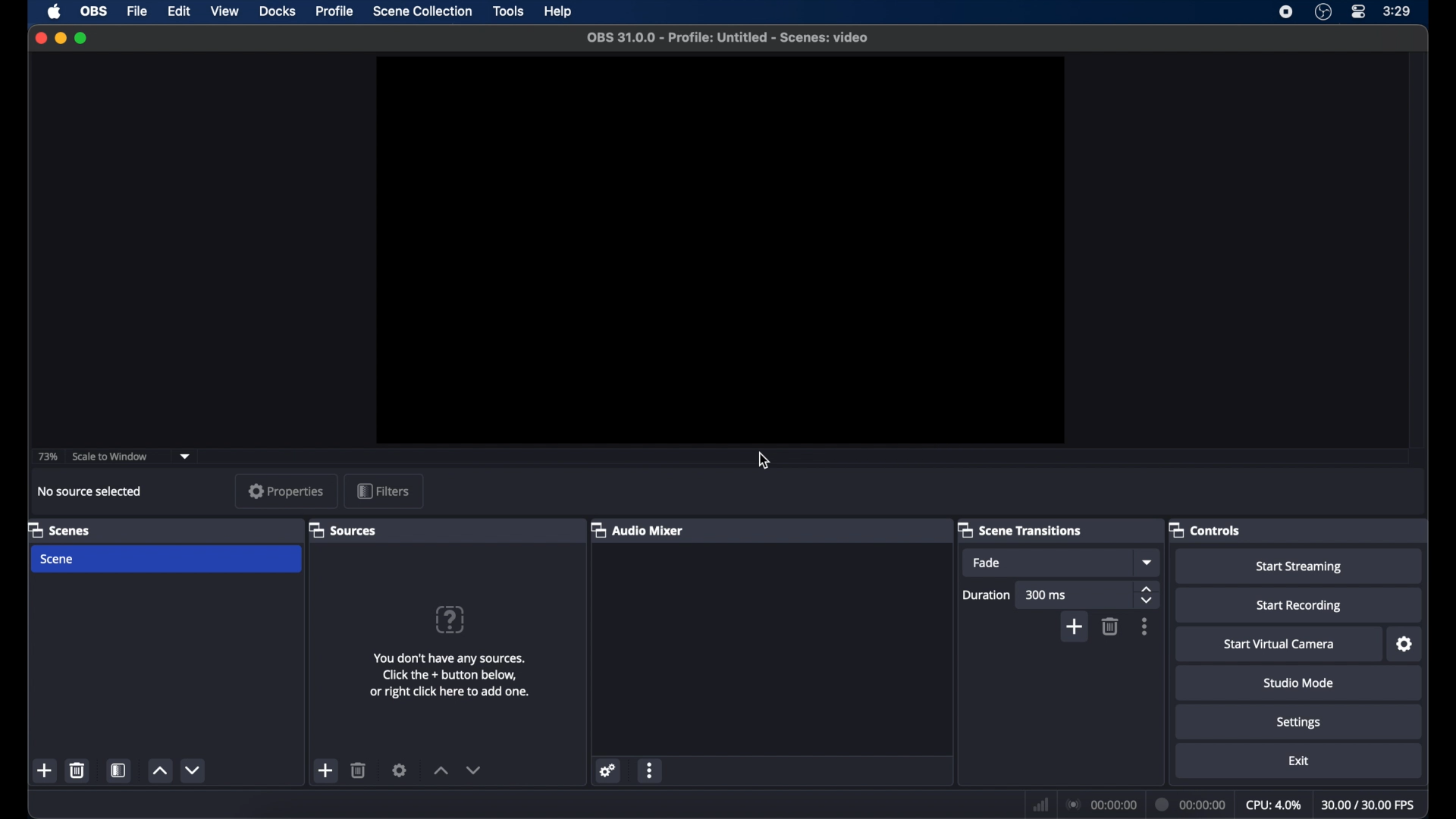  What do you see at coordinates (1301, 722) in the screenshot?
I see `settings` at bounding box center [1301, 722].